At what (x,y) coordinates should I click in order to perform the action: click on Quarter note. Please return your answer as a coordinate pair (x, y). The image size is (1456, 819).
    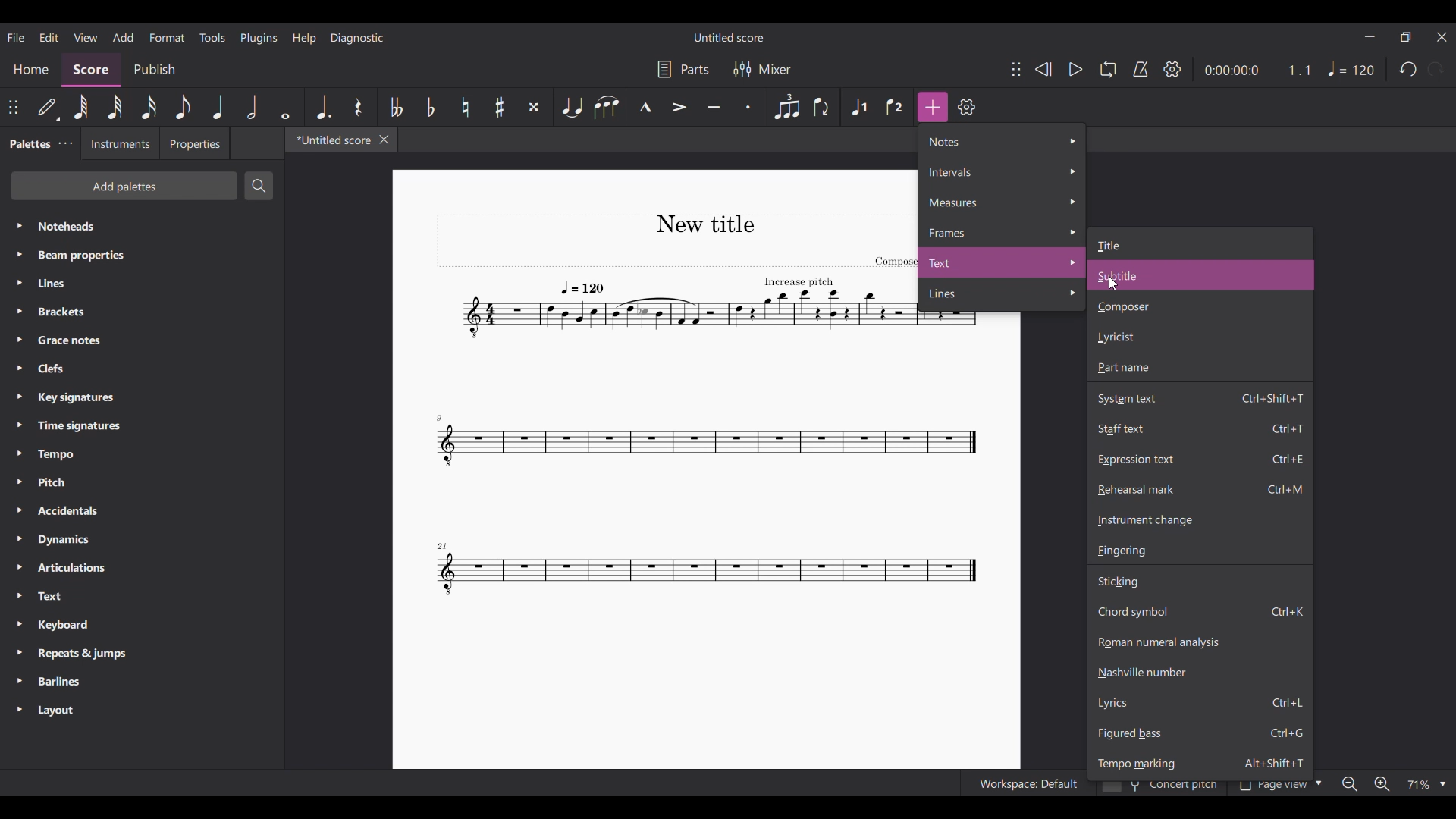
    Looking at the image, I should click on (218, 107).